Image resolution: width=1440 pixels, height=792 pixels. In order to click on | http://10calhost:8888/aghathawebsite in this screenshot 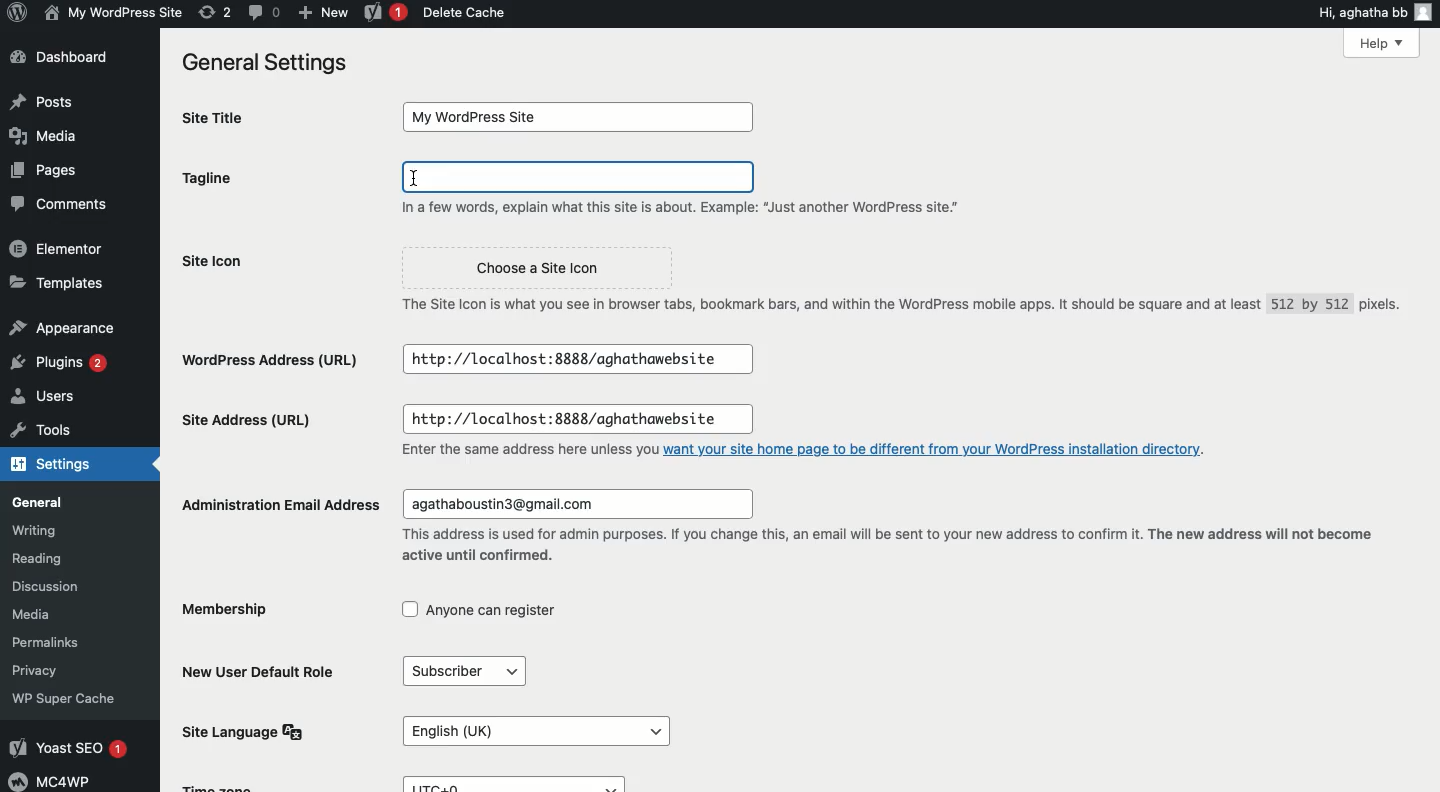, I will do `click(575, 357)`.